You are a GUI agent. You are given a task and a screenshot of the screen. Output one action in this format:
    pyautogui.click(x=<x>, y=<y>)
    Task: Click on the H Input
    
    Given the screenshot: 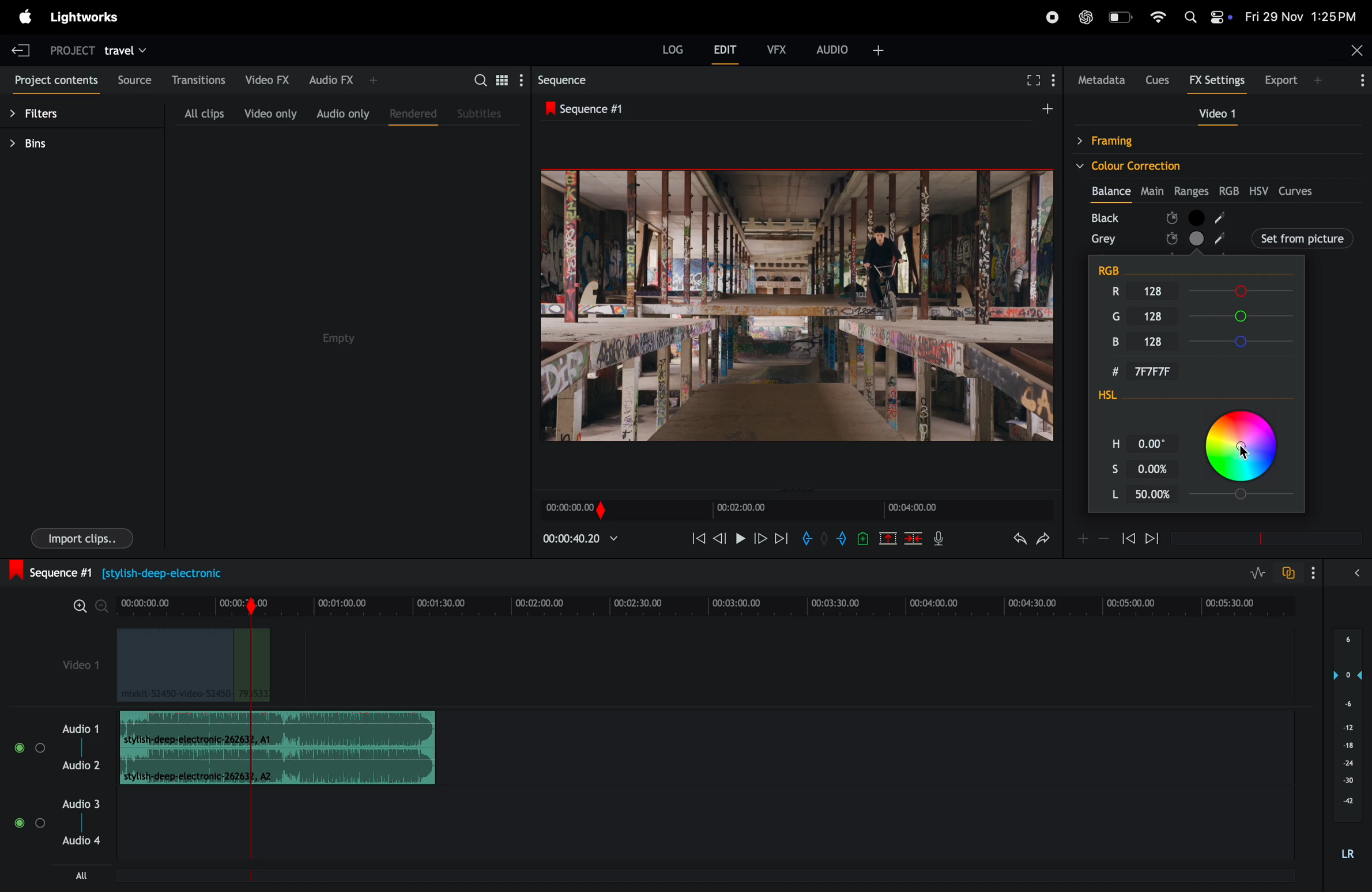 What is the action you would take?
    pyautogui.click(x=1155, y=442)
    